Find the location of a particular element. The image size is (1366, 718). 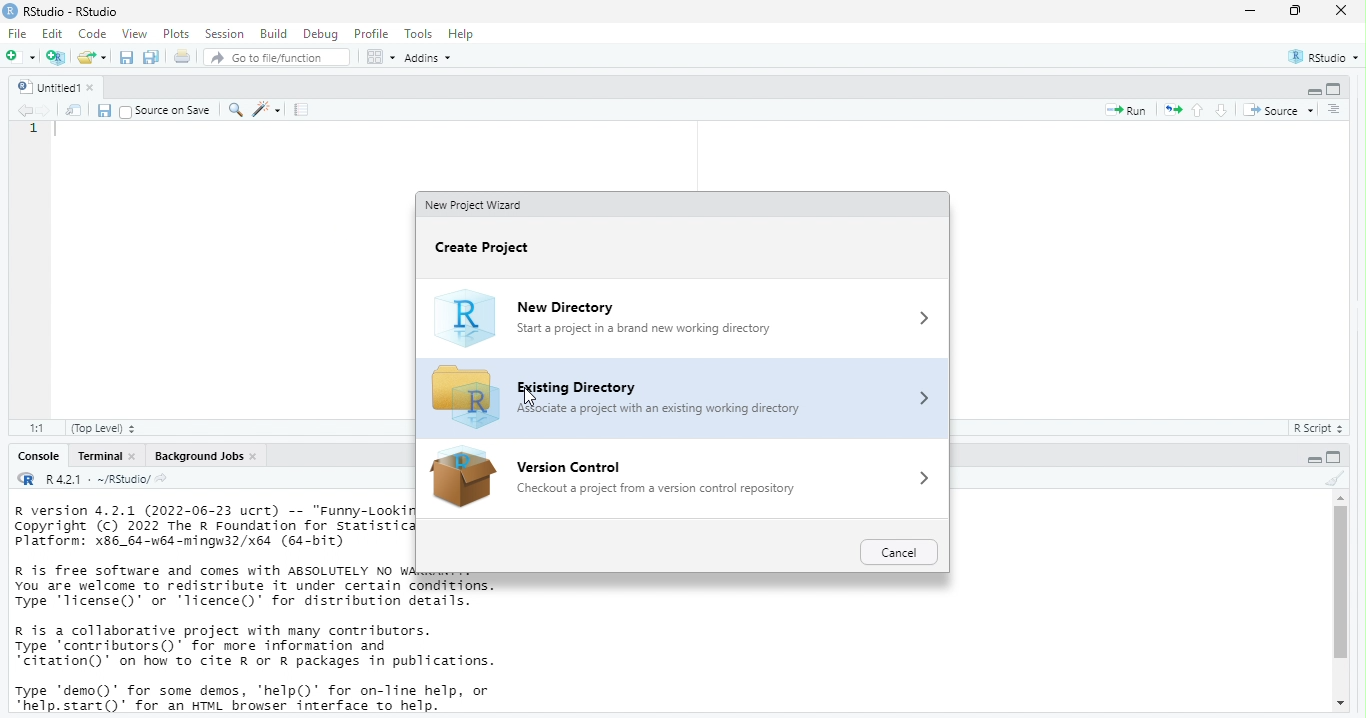

close is located at coordinates (100, 87).